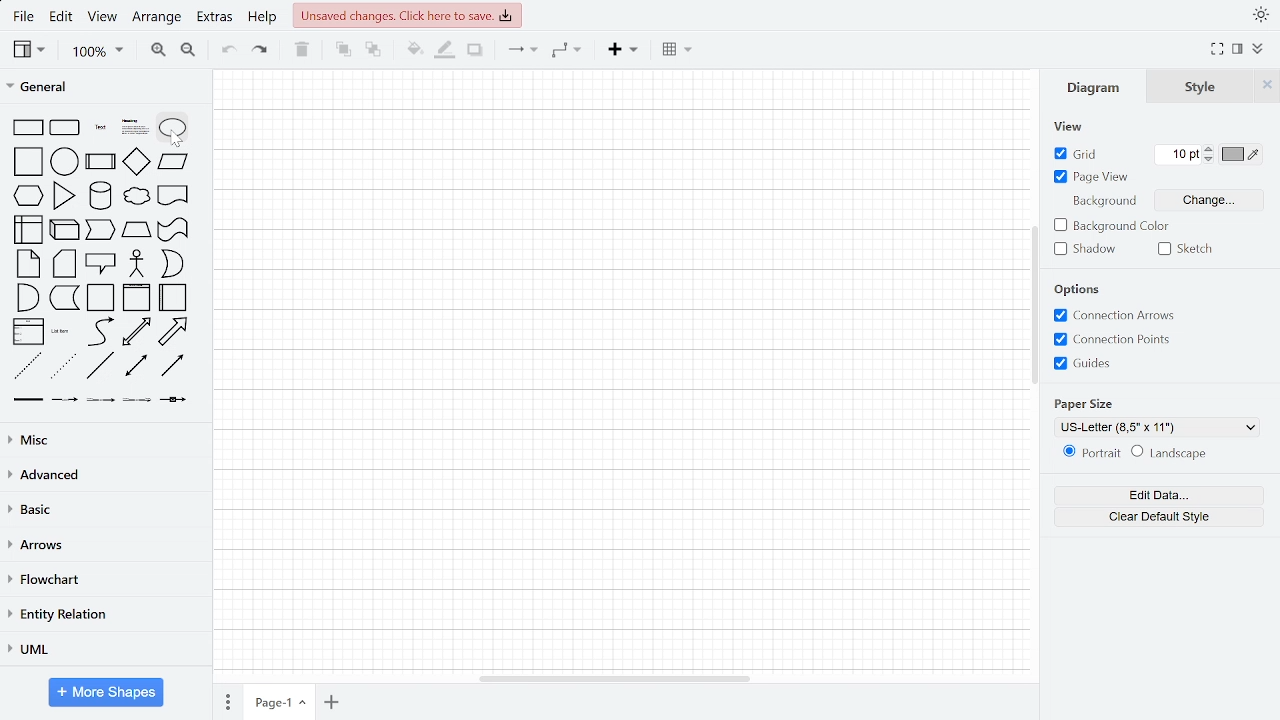 The image size is (1280, 720). What do you see at coordinates (132, 129) in the screenshot?
I see `heading` at bounding box center [132, 129].